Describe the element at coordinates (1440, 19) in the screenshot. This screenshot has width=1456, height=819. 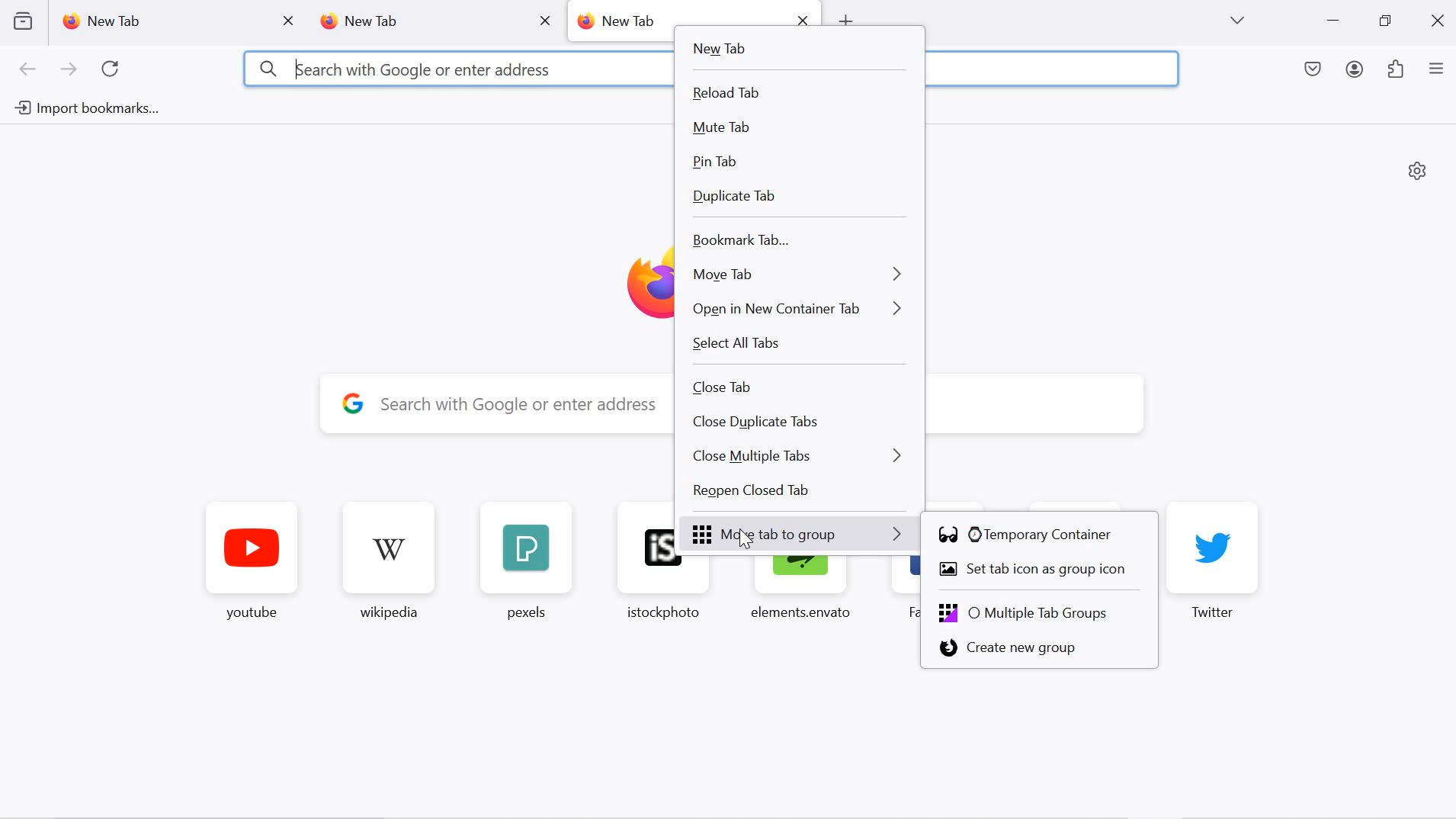
I see `close` at that location.